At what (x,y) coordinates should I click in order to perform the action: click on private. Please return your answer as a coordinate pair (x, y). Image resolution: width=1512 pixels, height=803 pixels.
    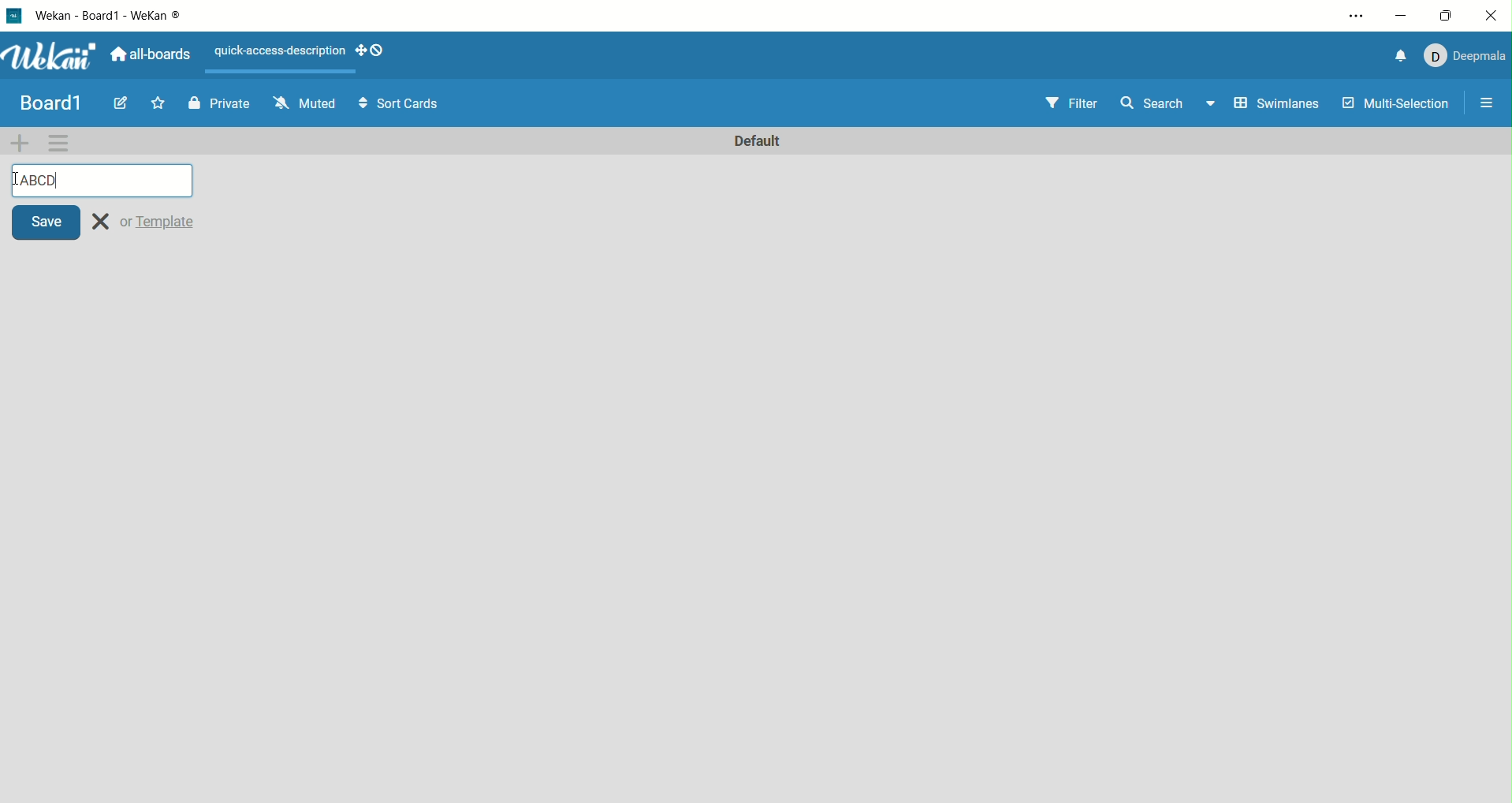
    Looking at the image, I should click on (227, 105).